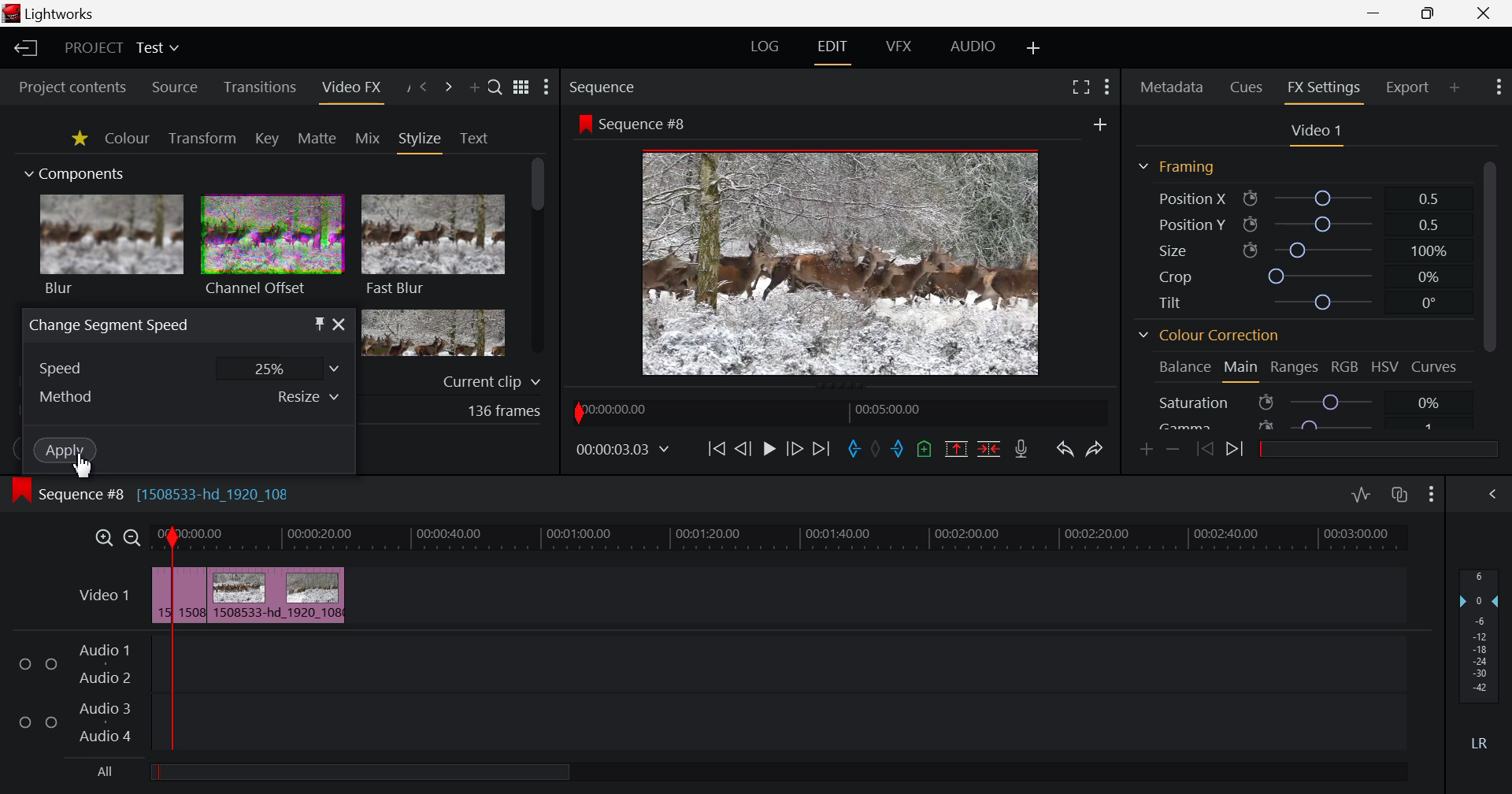  What do you see at coordinates (632, 86) in the screenshot?
I see `Sequence` at bounding box center [632, 86].